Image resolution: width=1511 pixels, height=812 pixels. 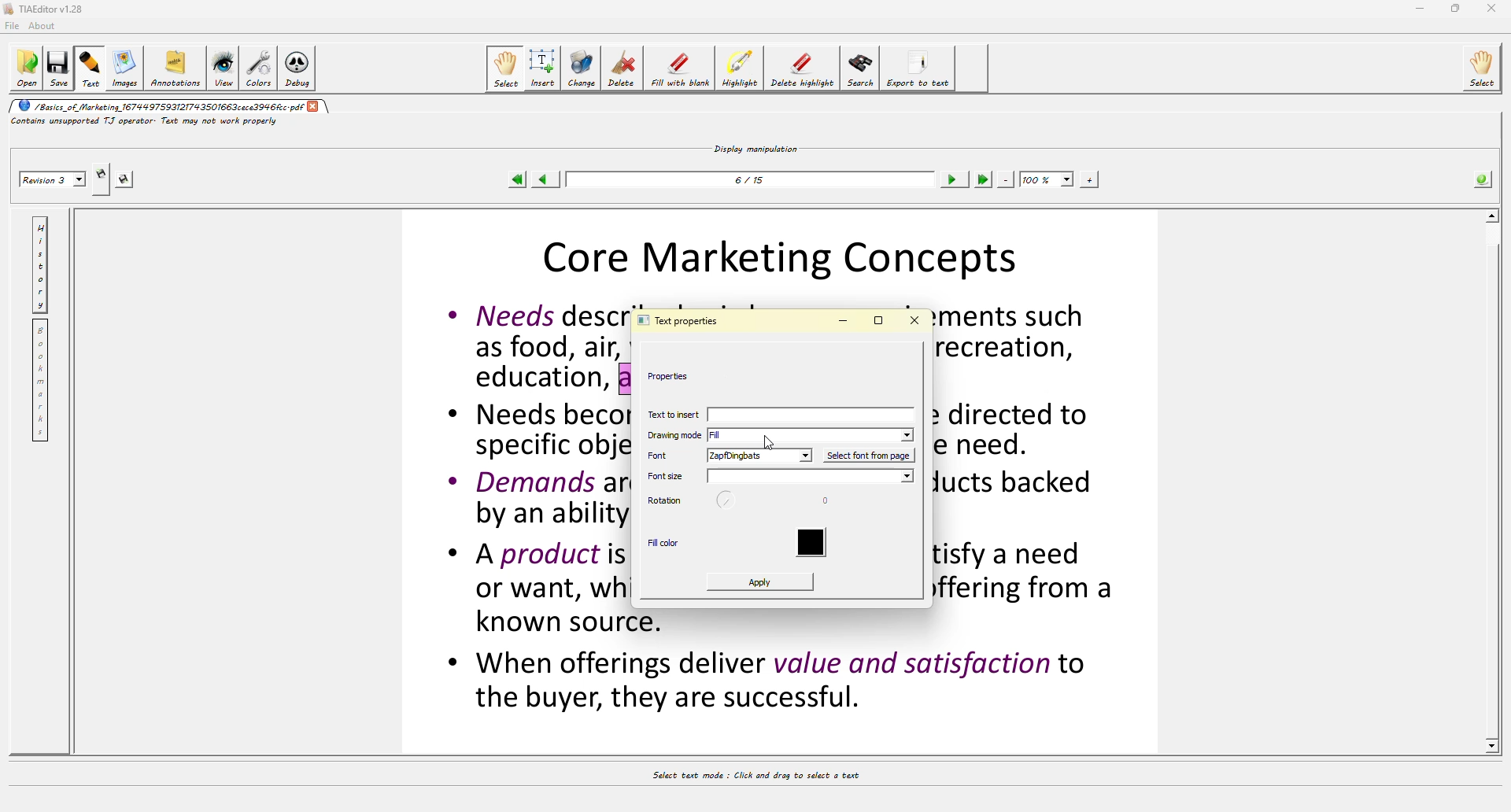 I want to click on close, so click(x=316, y=106).